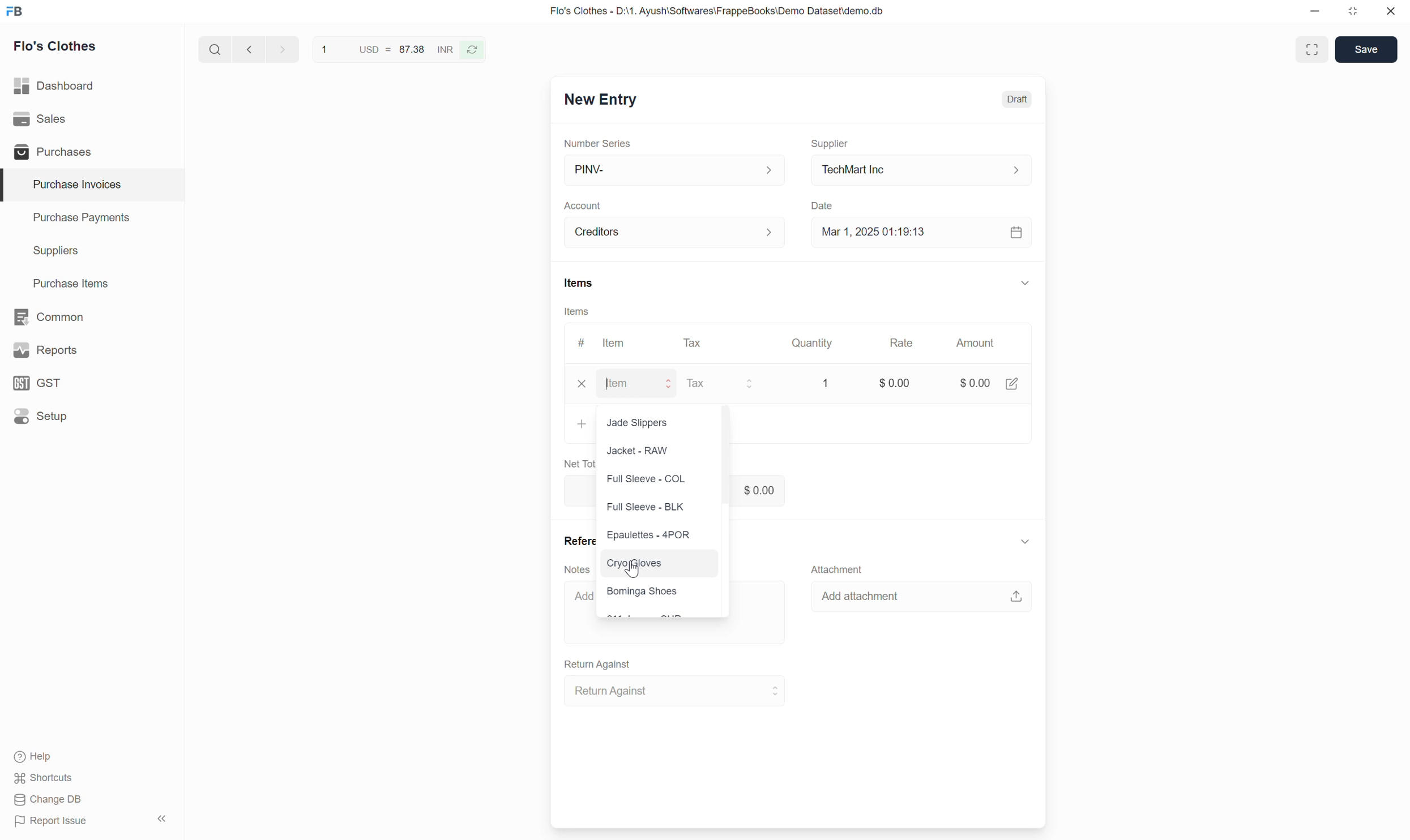  What do you see at coordinates (924, 597) in the screenshot?
I see `Add attachment` at bounding box center [924, 597].